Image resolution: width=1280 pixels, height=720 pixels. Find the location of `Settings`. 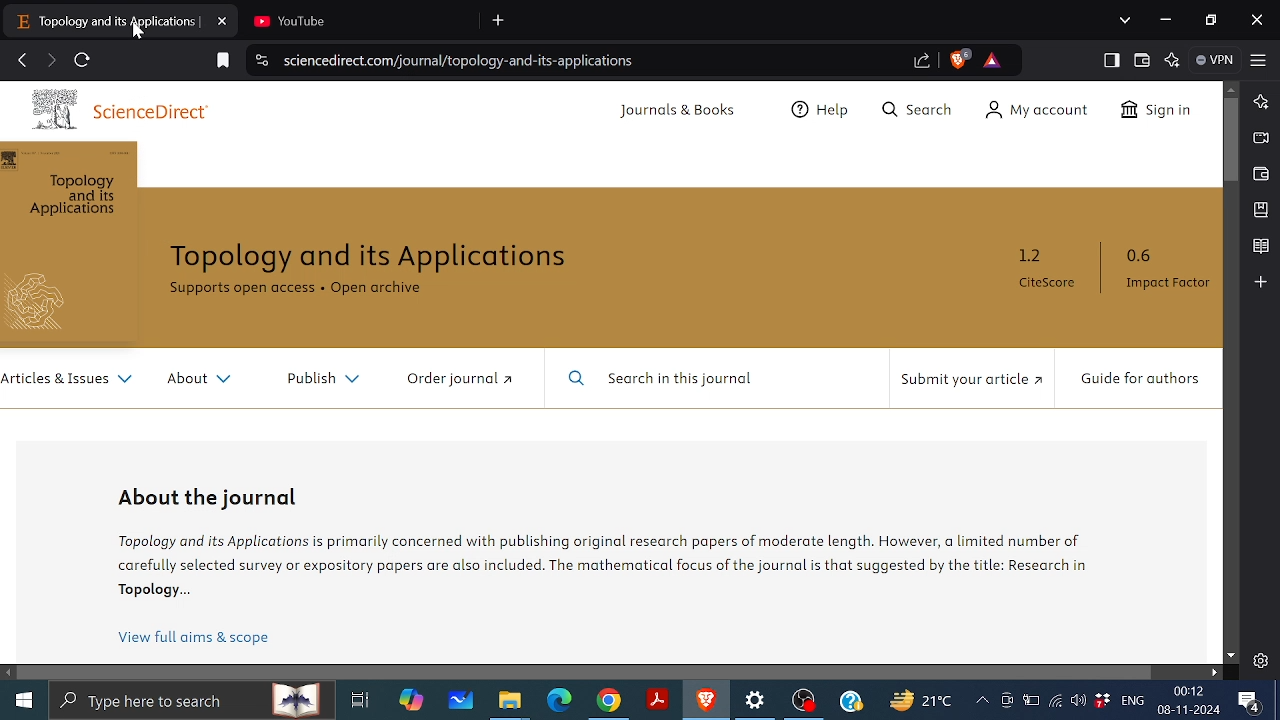

Settings is located at coordinates (757, 701).